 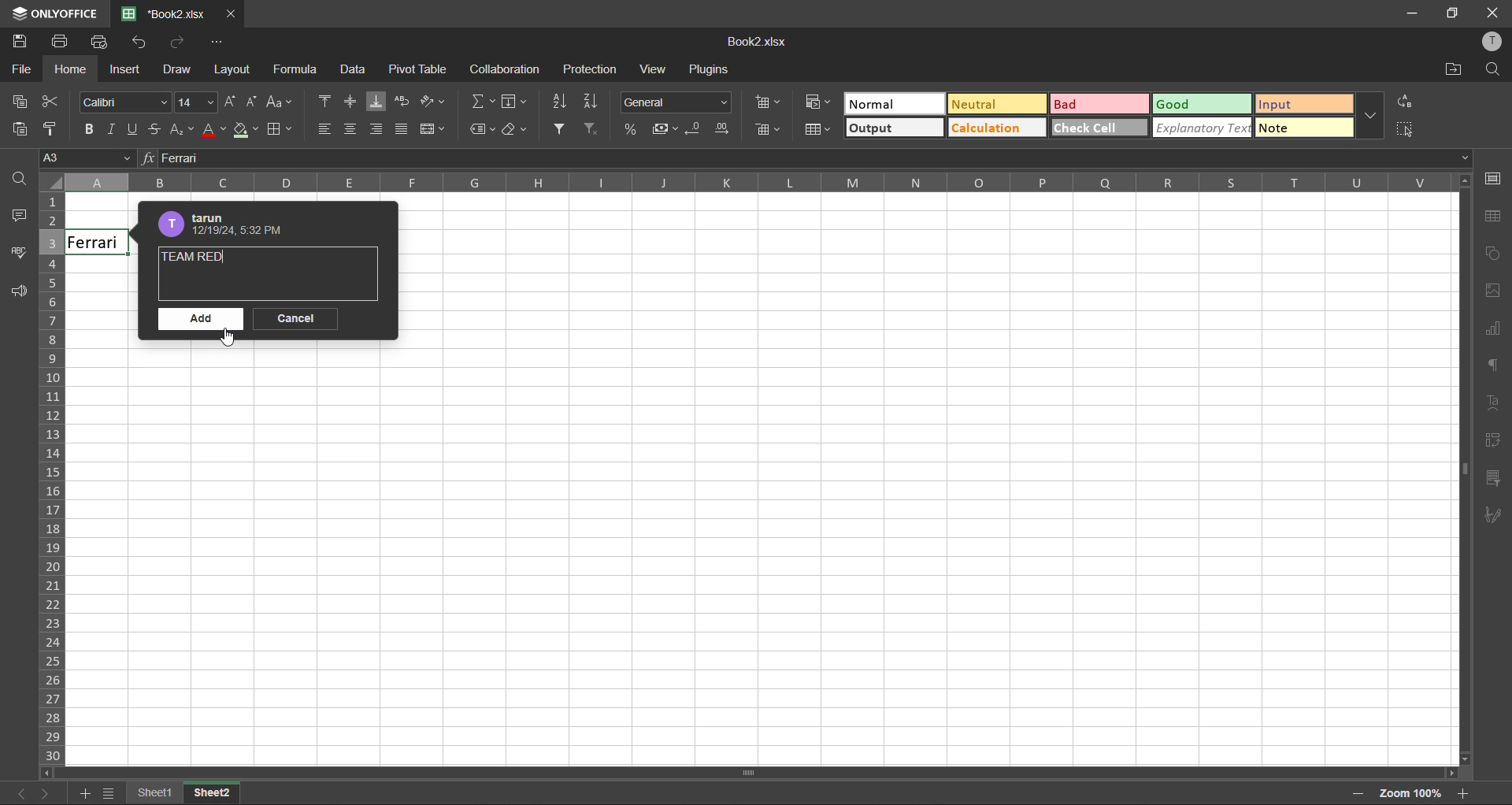 I want to click on sort descending, so click(x=595, y=99).